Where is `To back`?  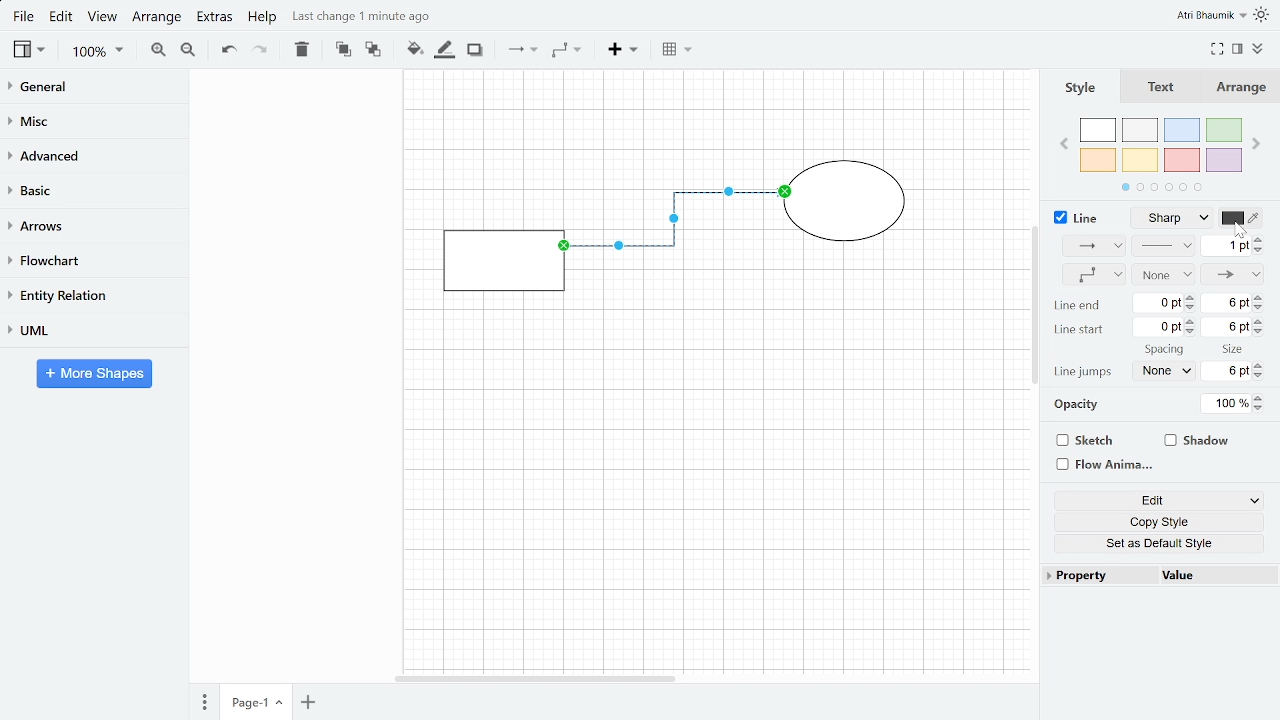 To back is located at coordinates (373, 50).